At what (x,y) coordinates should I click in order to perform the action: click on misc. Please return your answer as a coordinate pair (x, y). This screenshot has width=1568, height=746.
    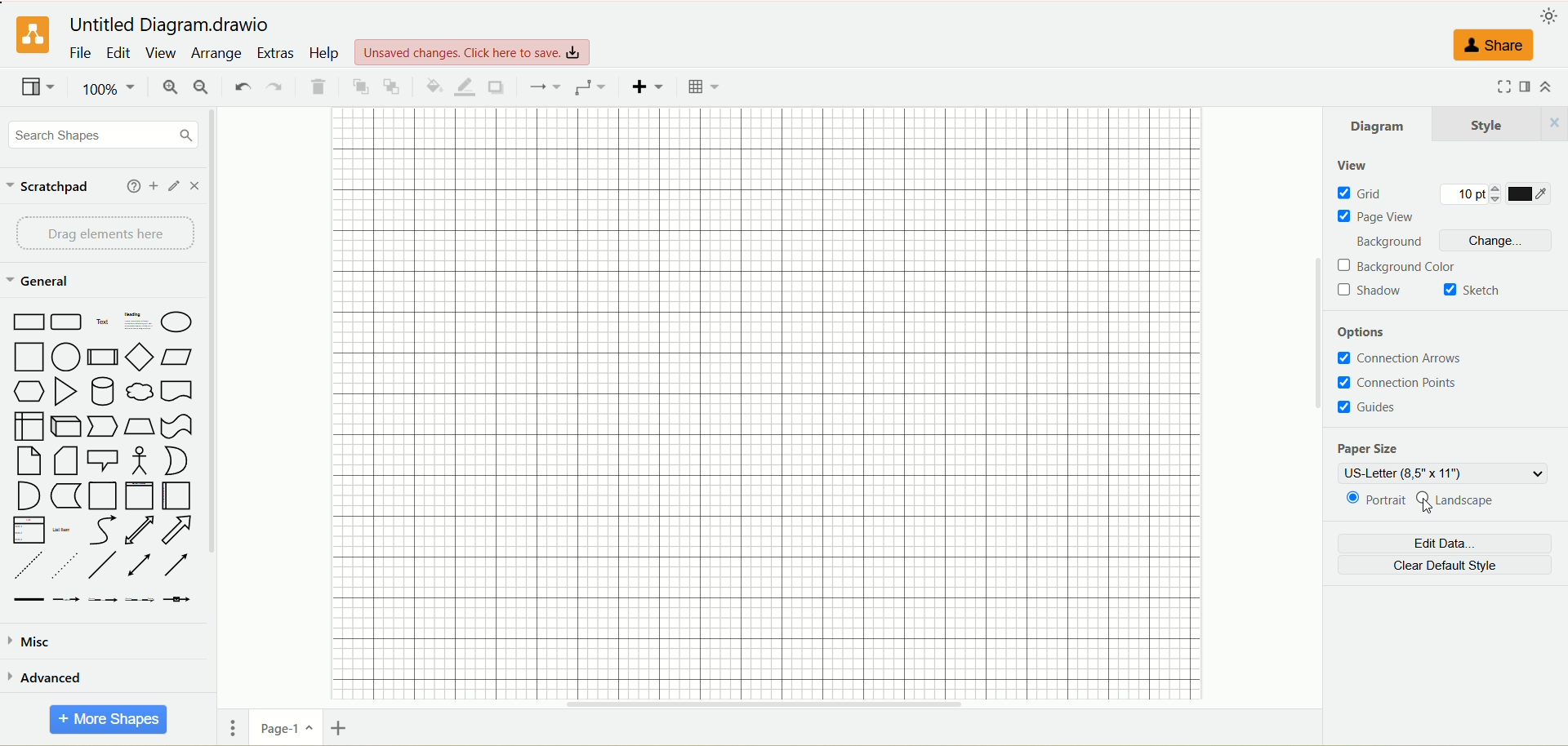
    Looking at the image, I should click on (35, 642).